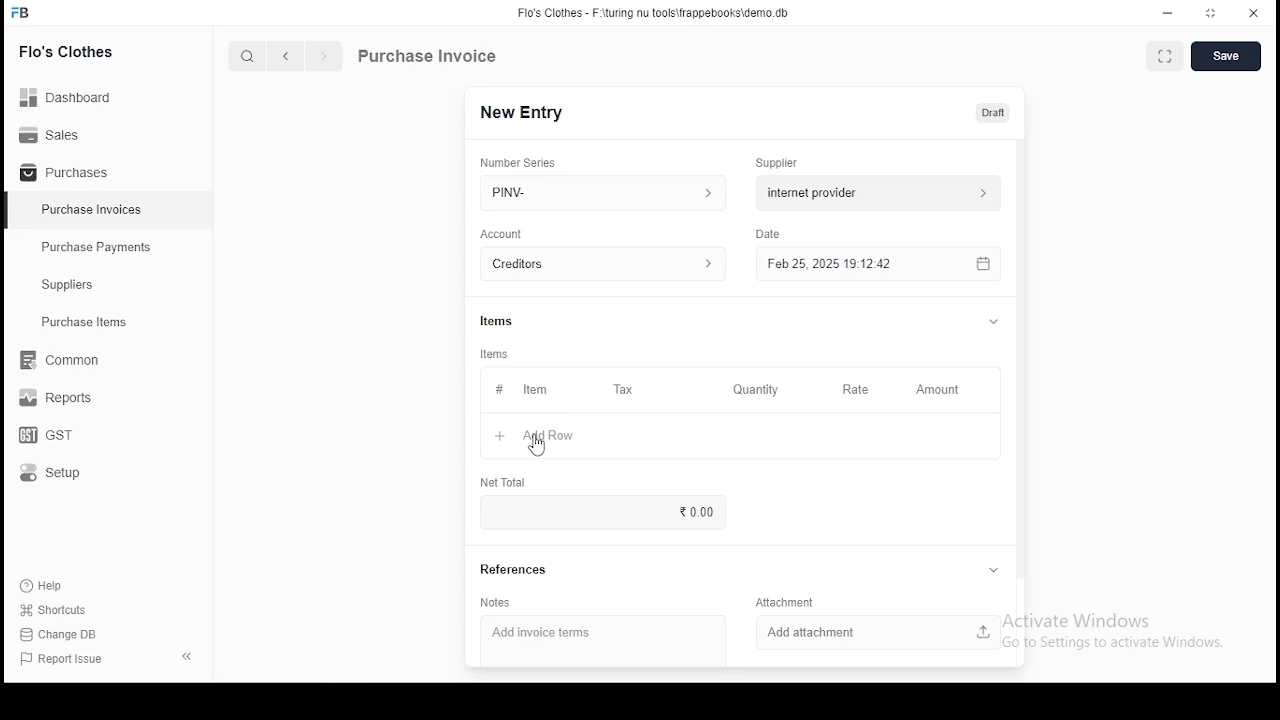 This screenshot has height=720, width=1280. What do you see at coordinates (534, 391) in the screenshot?
I see `item` at bounding box center [534, 391].